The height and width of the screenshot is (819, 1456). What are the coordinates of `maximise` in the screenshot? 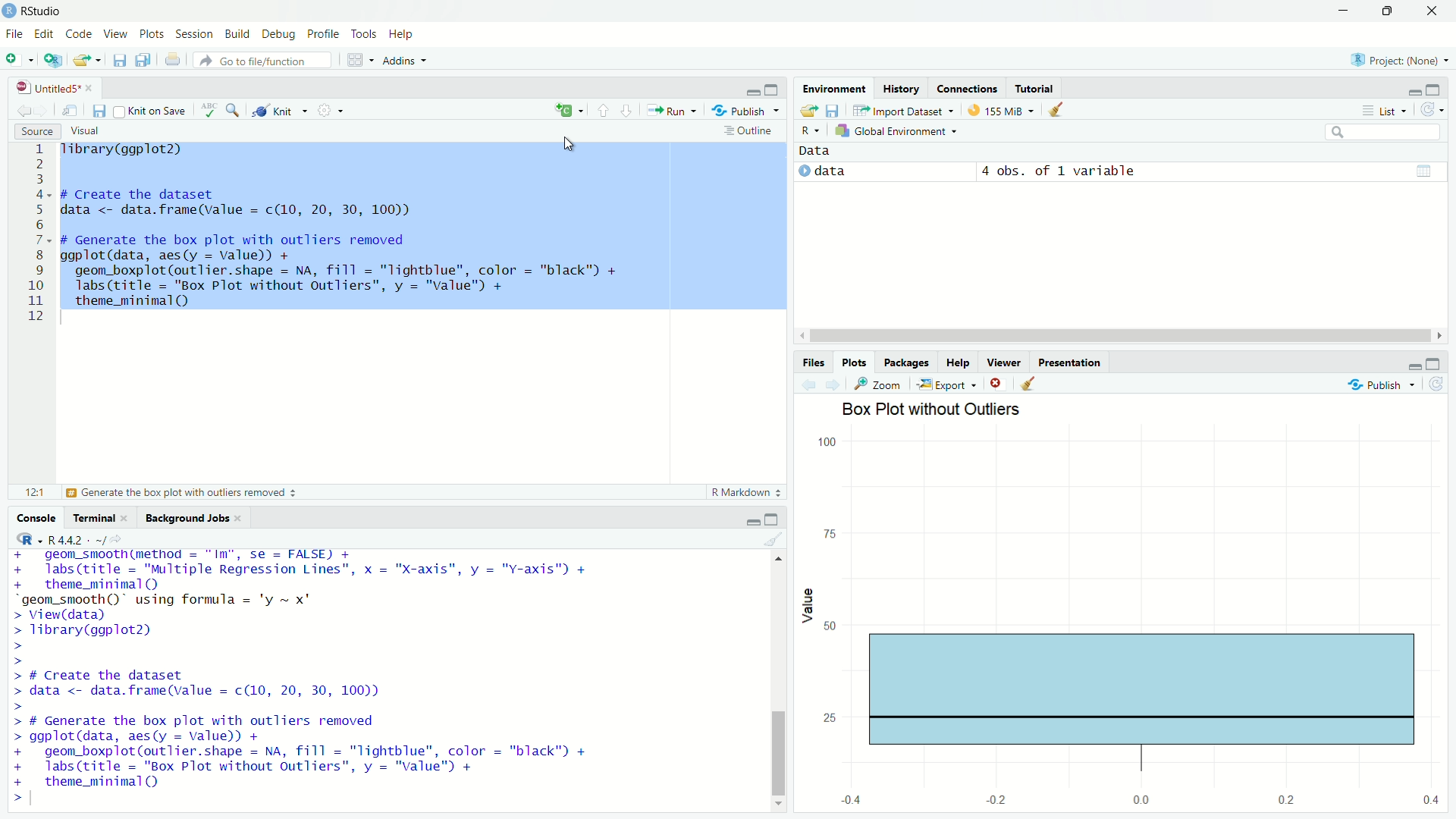 It's located at (1392, 14).